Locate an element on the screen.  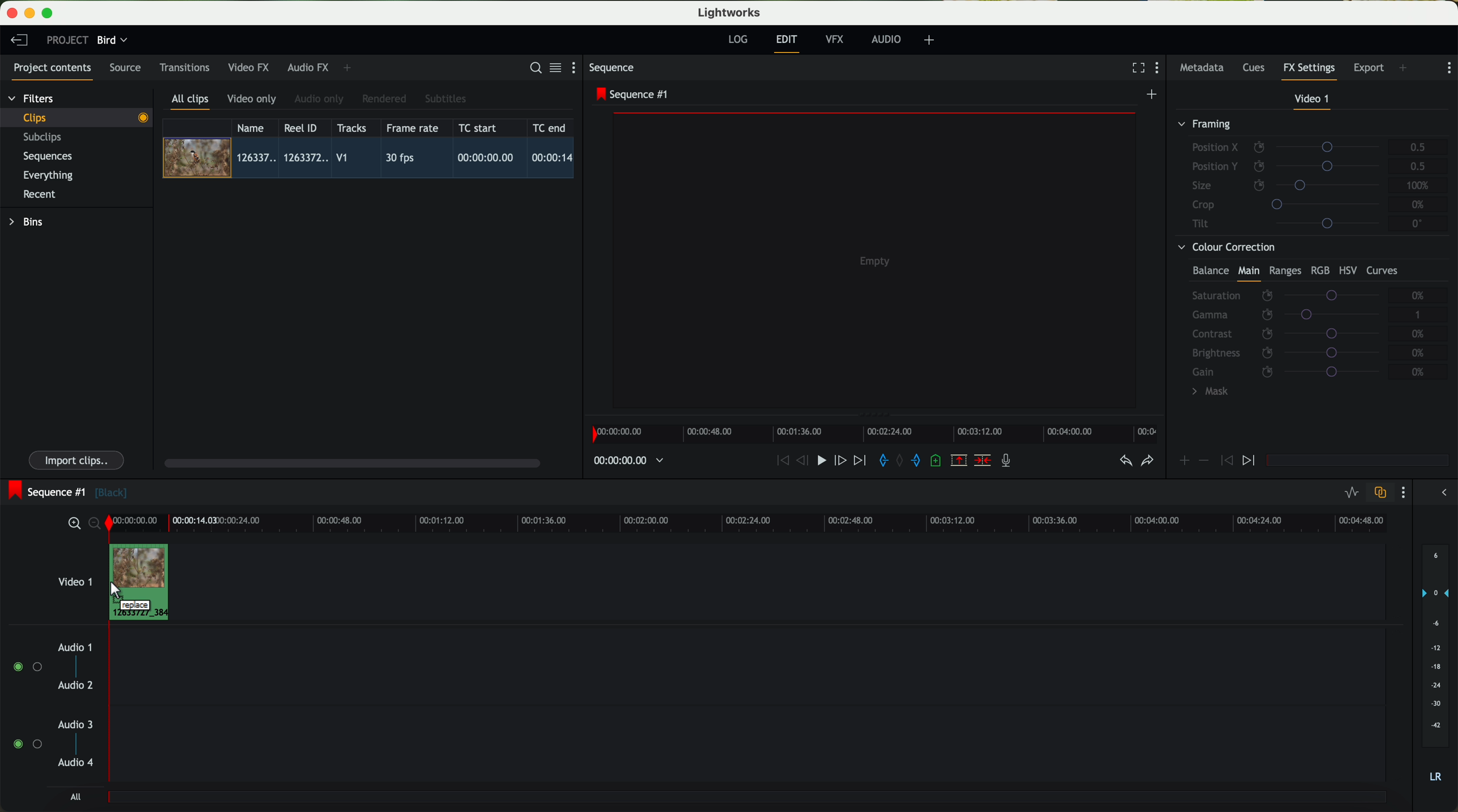
video preview is located at coordinates (880, 261).